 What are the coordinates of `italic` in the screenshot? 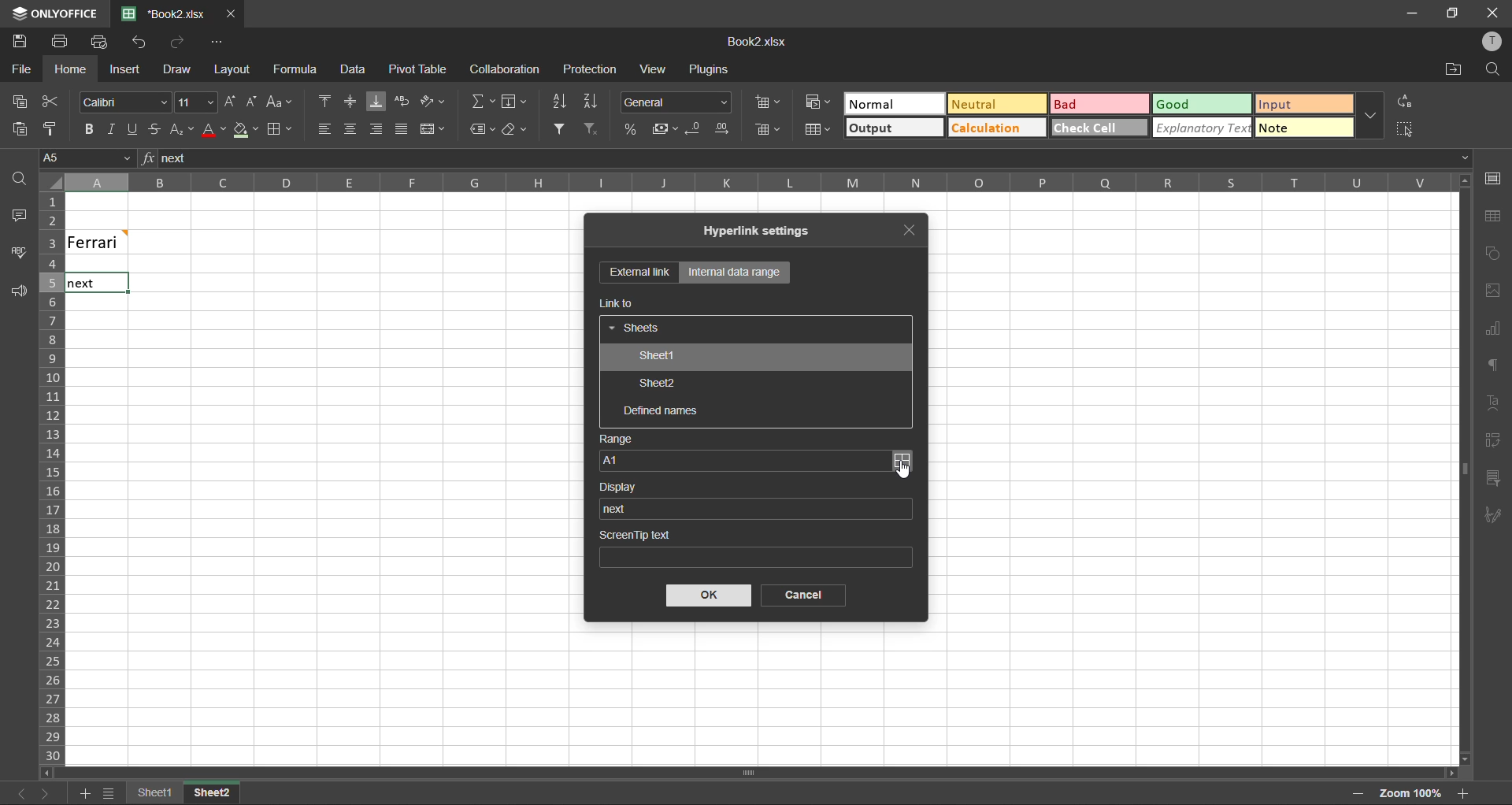 It's located at (109, 130).